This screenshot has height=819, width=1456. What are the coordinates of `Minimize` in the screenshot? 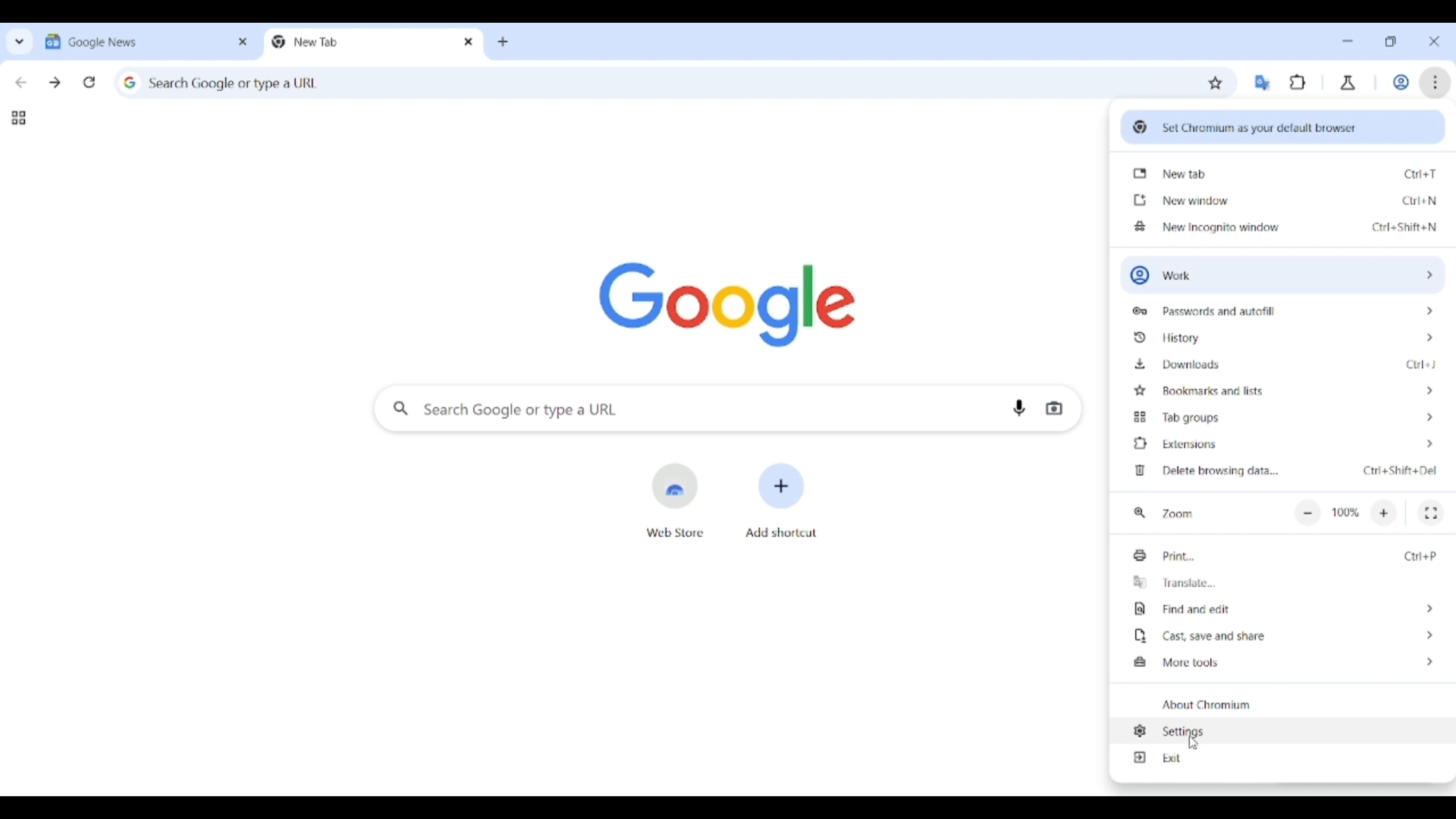 It's located at (1348, 41).